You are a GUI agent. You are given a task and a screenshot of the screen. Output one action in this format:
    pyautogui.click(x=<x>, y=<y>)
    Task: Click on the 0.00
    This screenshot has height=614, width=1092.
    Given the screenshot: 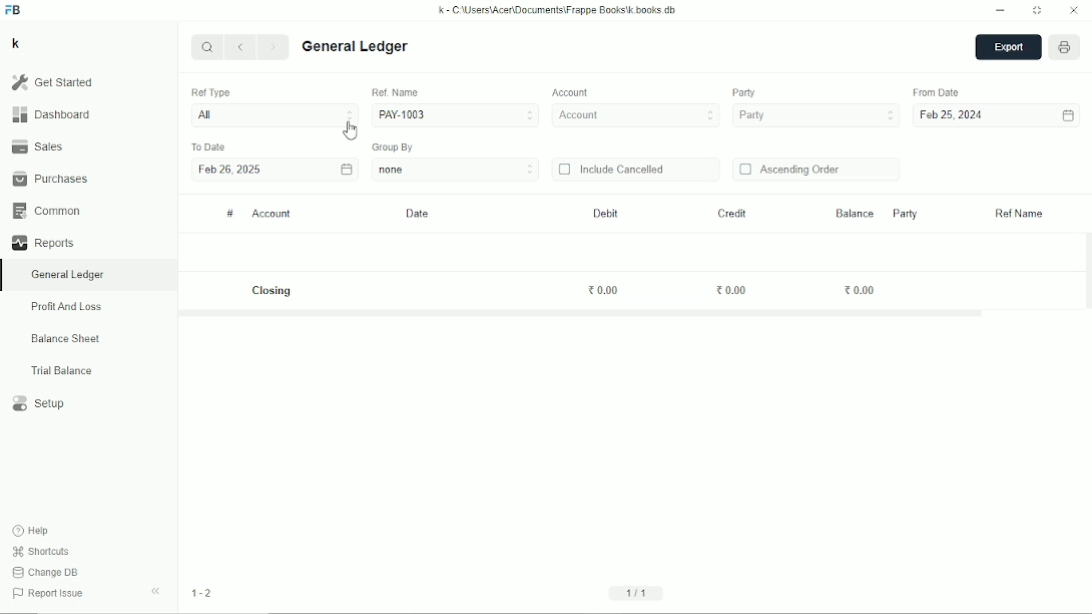 What is the action you would take?
    pyautogui.click(x=860, y=289)
    